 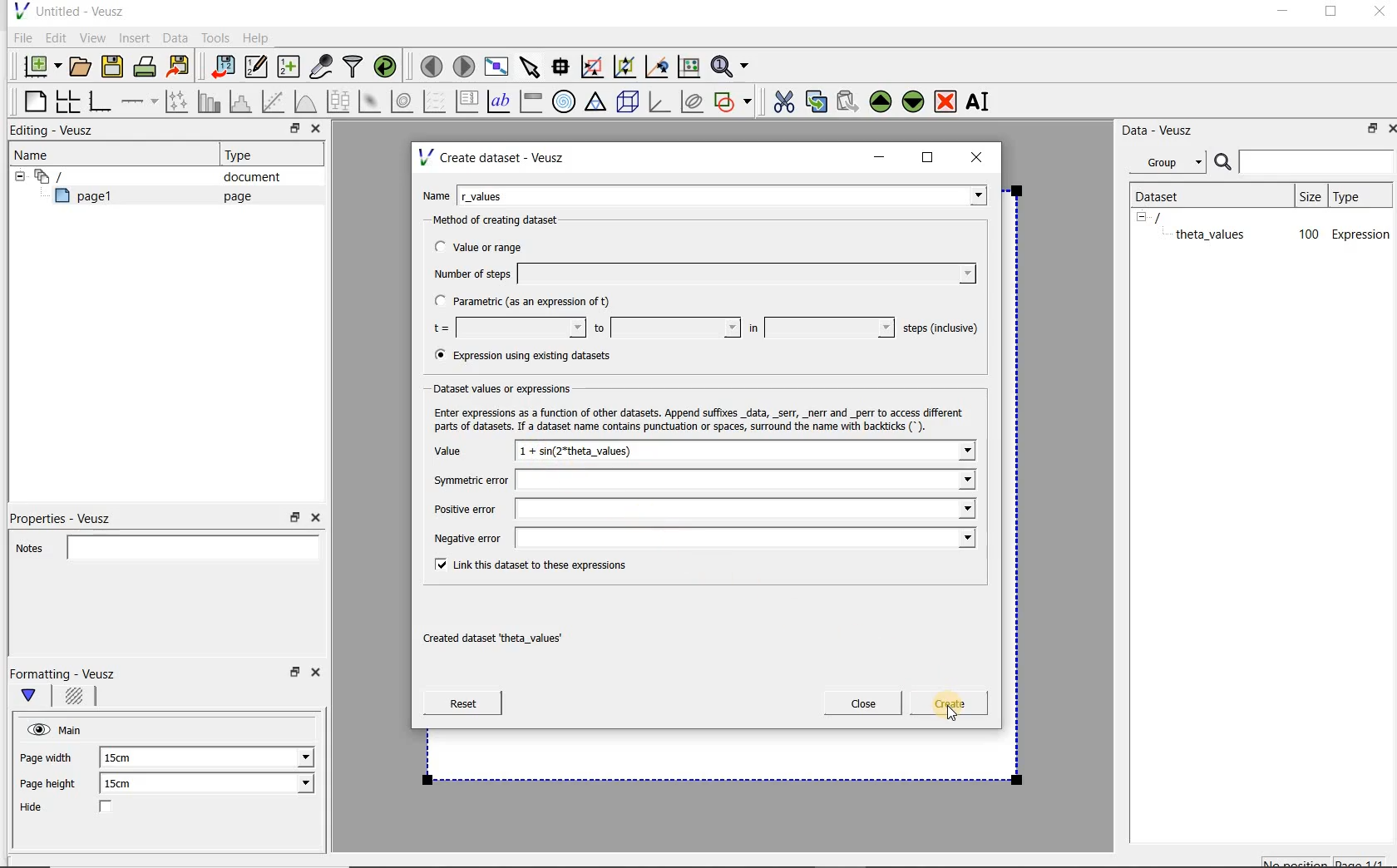 What do you see at coordinates (128, 784) in the screenshot?
I see `15cm` at bounding box center [128, 784].